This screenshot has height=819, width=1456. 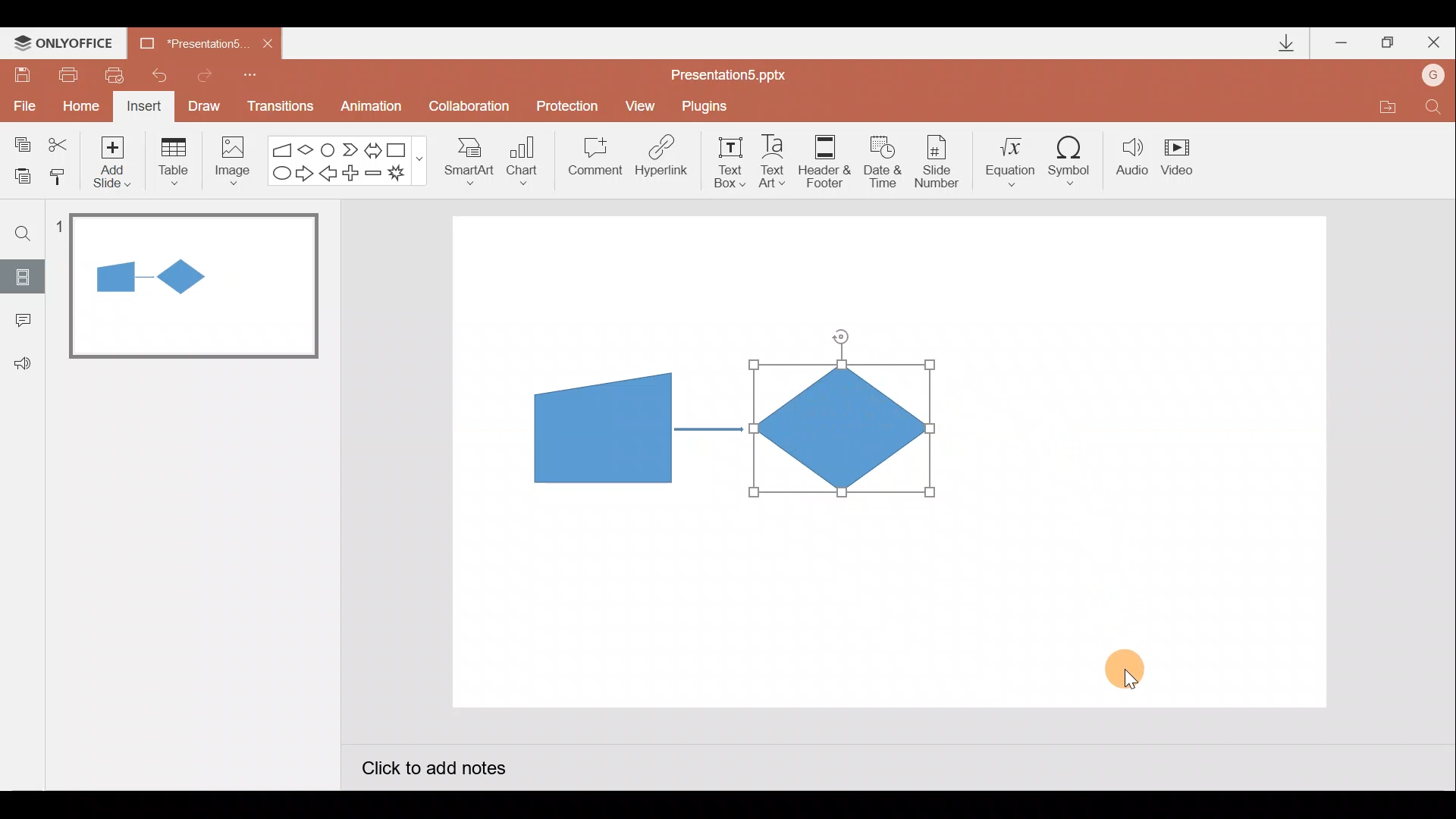 What do you see at coordinates (725, 160) in the screenshot?
I see `Text box` at bounding box center [725, 160].